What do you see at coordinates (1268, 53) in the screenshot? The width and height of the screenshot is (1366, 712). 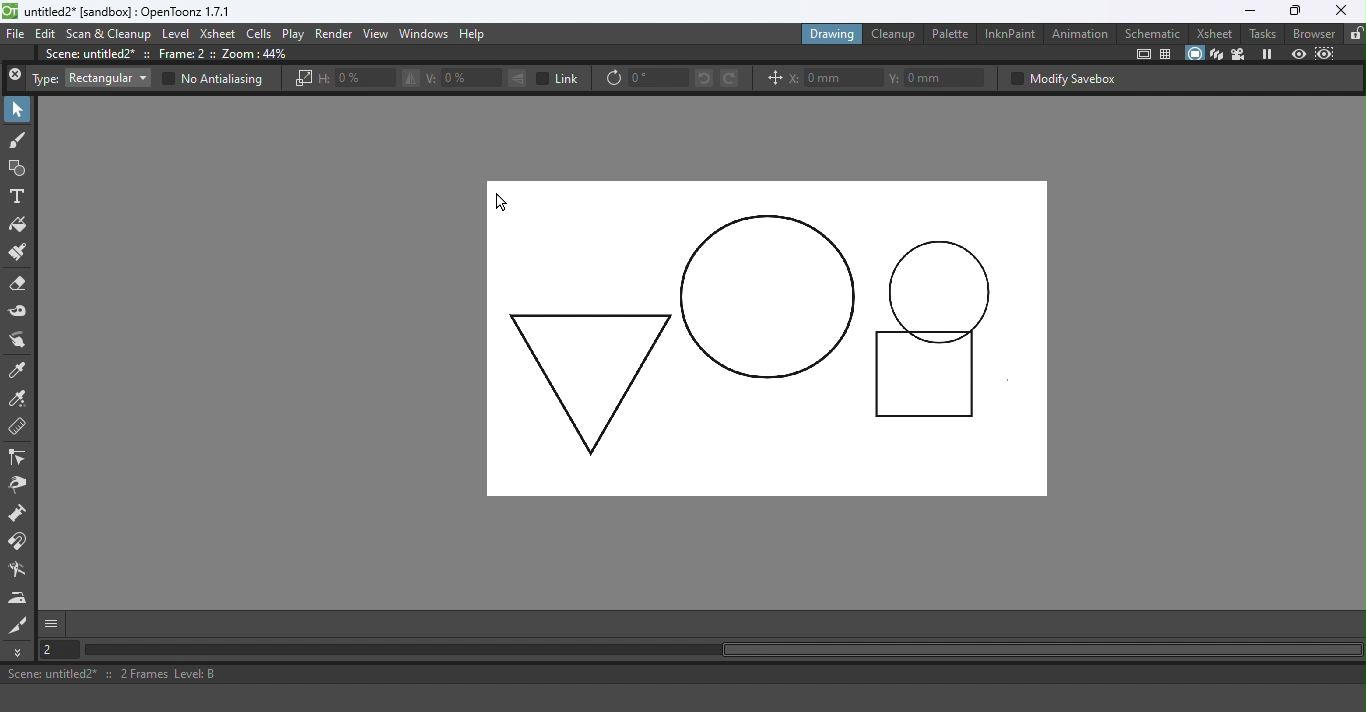 I see `Freeze` at bounding box center [1268, 53].